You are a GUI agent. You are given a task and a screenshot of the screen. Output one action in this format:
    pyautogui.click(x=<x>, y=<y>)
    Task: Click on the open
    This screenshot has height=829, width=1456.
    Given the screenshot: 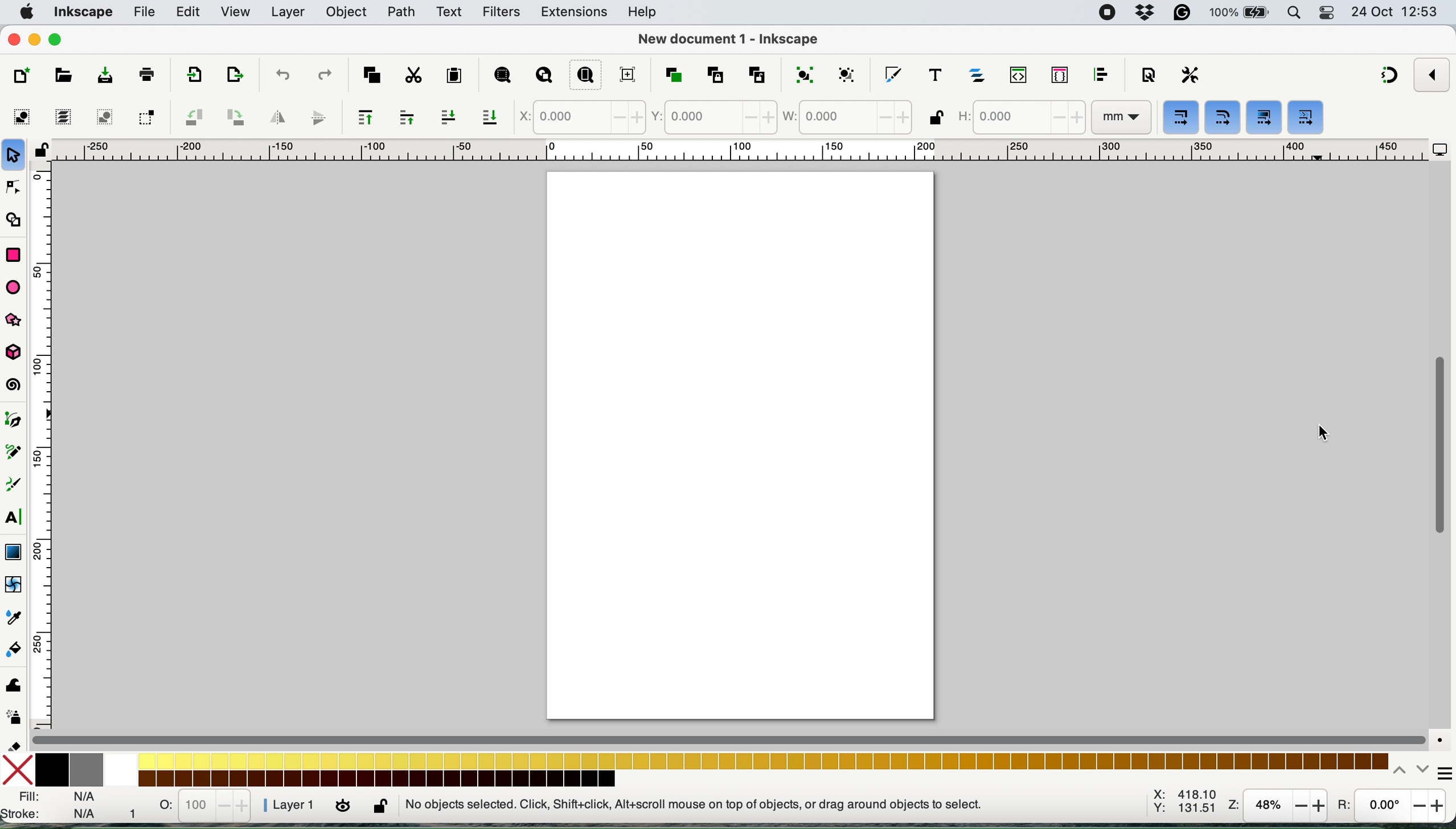 What is the action you would take?
    pyautogui.click(x=60, y=75)
    